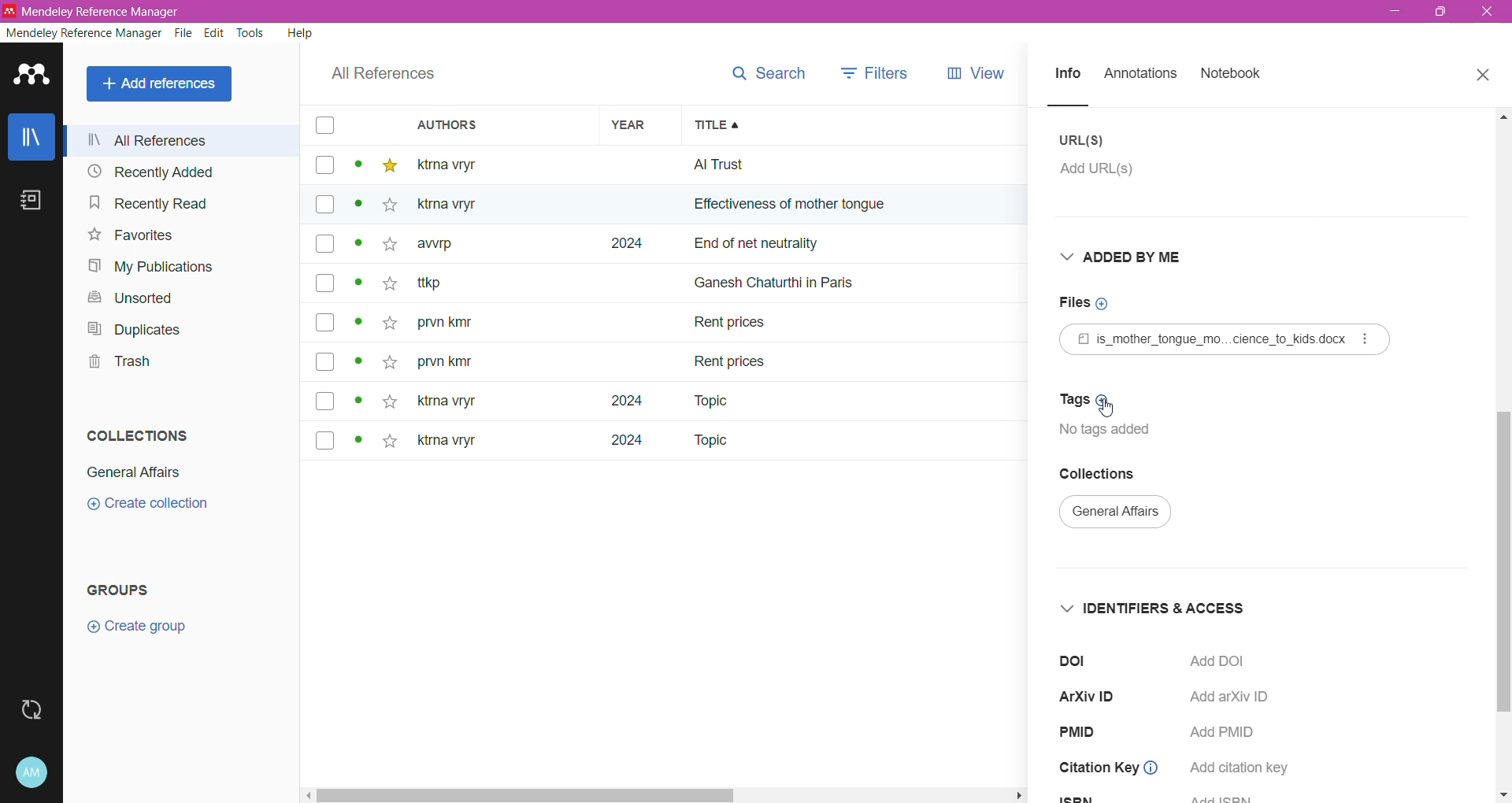  I want to click on Duplicates, so click(135, 329).